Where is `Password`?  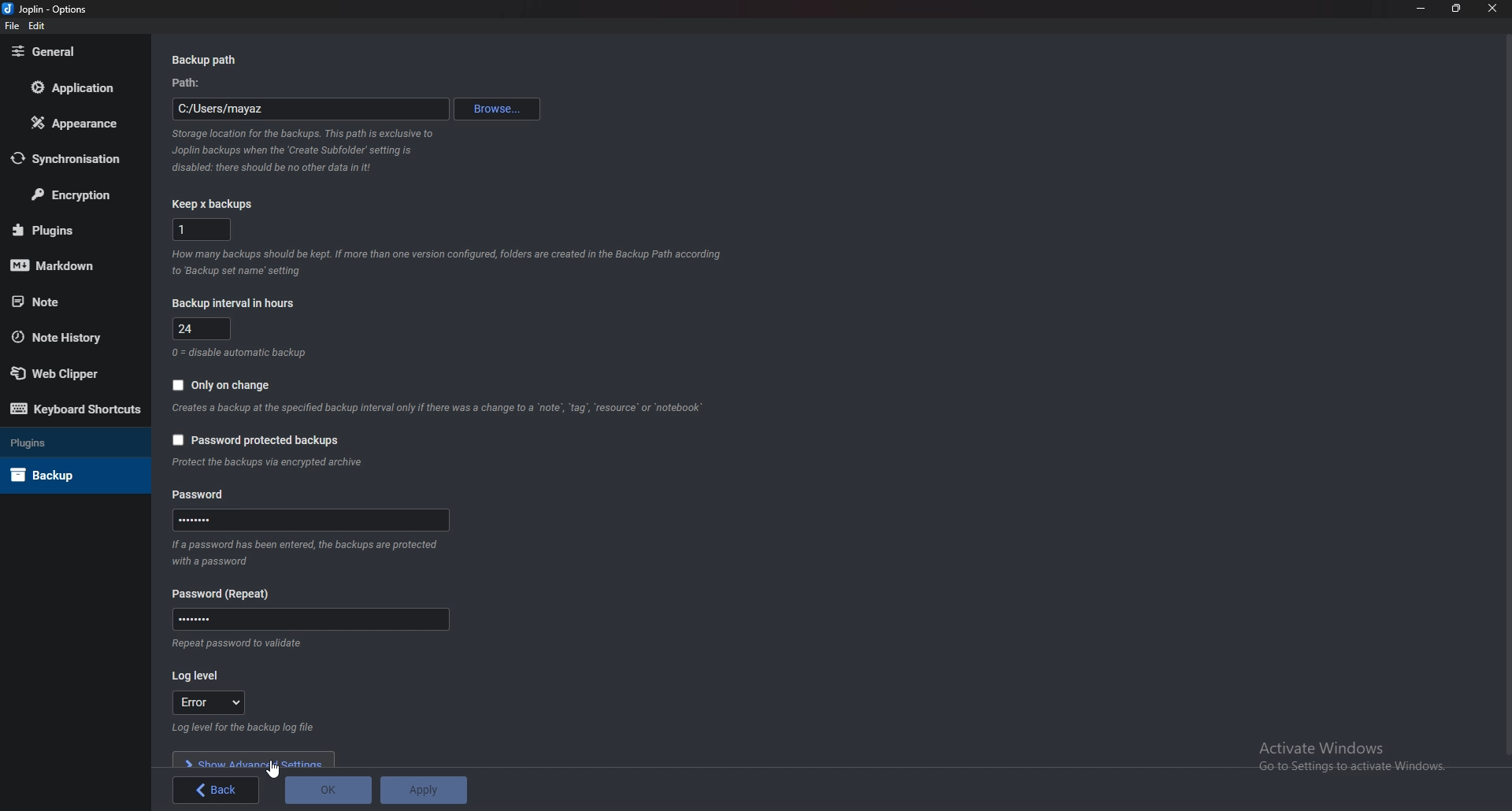 Password is located at coordinates (205, 495).